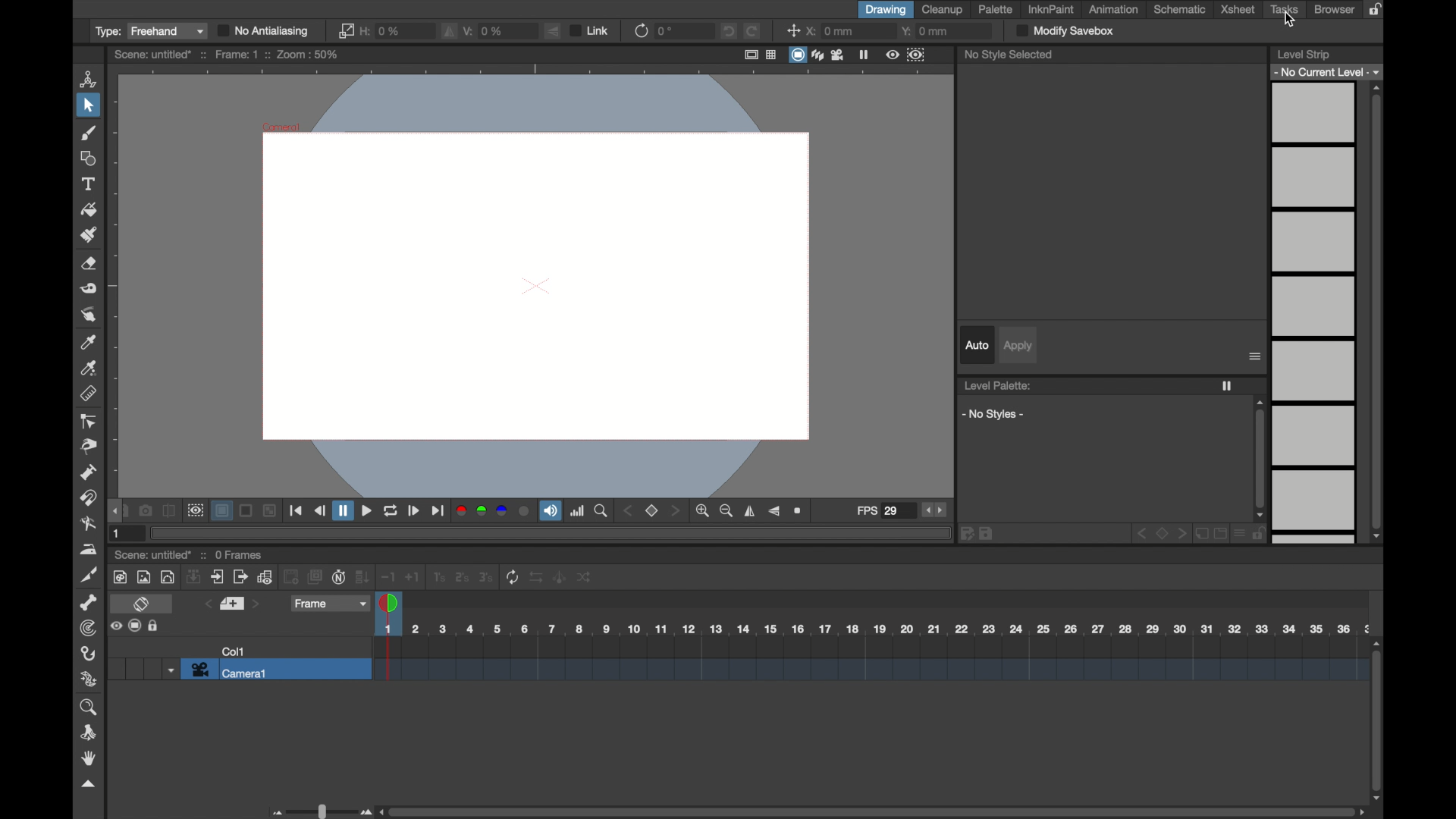 The image size is (1456, 819). What do you see at coordinates (886, 10) in the screenshot?
I see `drawing` at bounding box center [886, 10].